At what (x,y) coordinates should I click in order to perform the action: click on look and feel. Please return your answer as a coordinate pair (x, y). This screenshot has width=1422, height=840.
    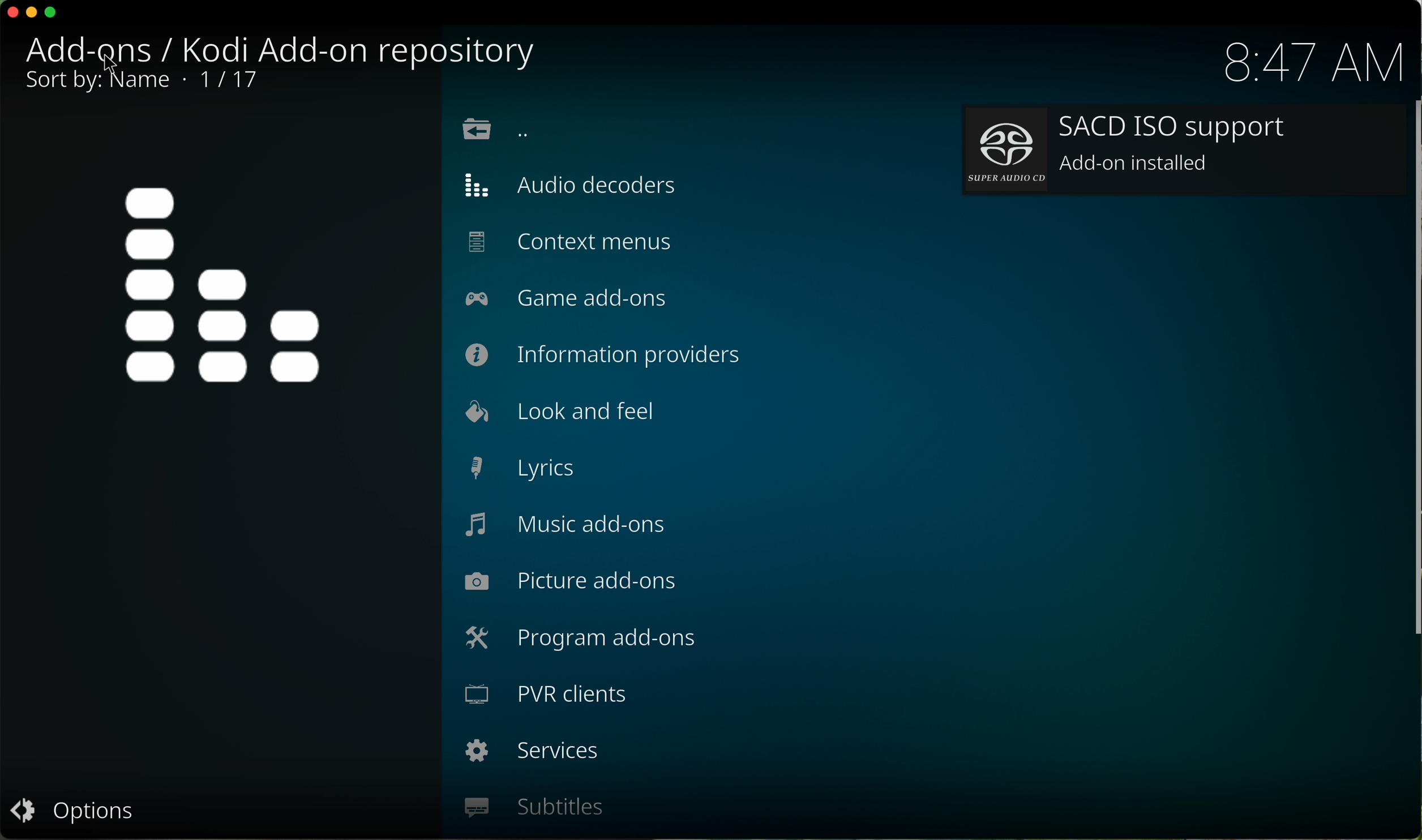
    Looking at the image, I should click on (555, 412).